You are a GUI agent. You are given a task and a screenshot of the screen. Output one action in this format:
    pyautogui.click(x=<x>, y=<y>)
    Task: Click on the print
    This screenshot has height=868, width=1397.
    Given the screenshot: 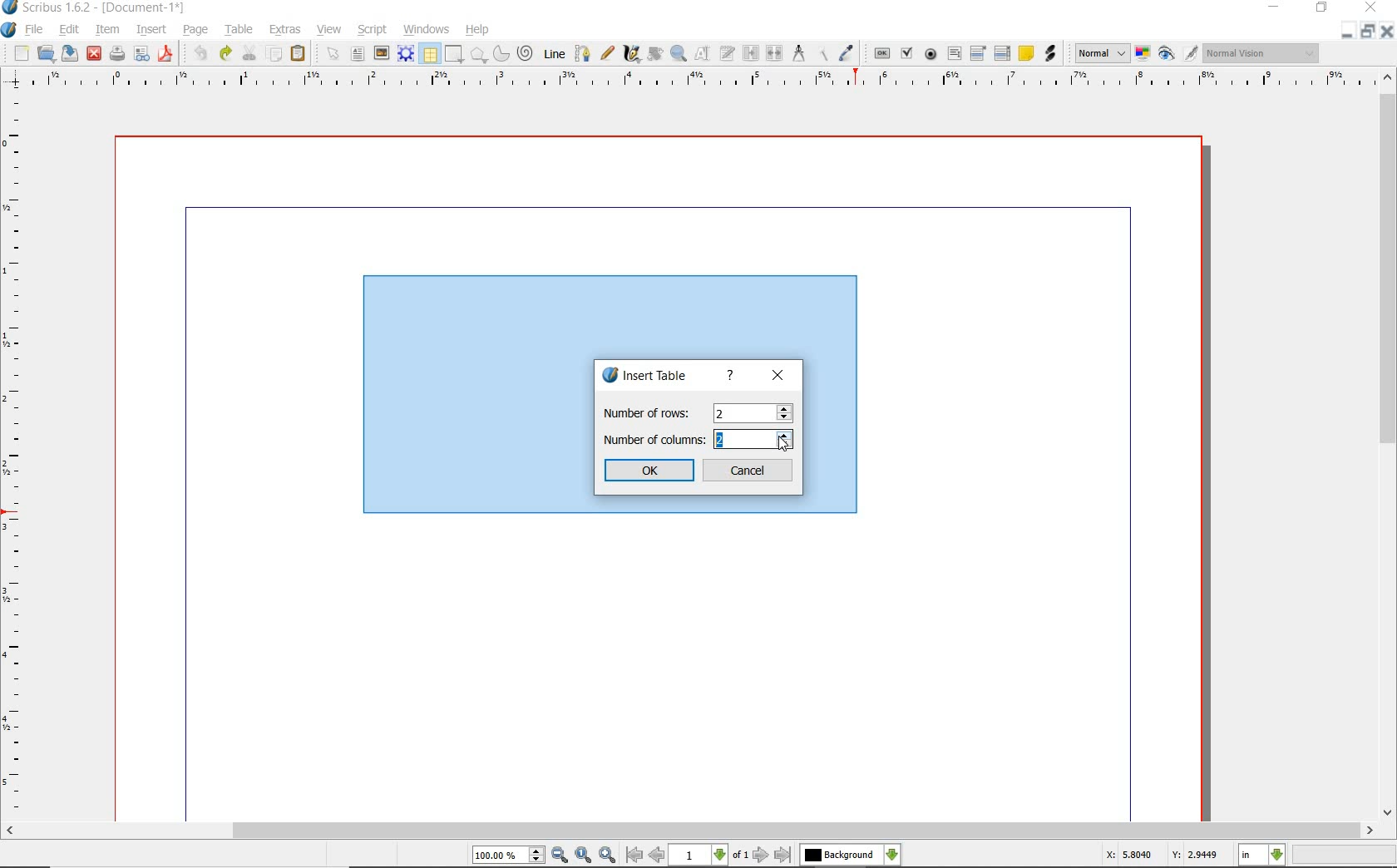 What is the action you would take?
    pyautogui.click(x=116, y=53)
    